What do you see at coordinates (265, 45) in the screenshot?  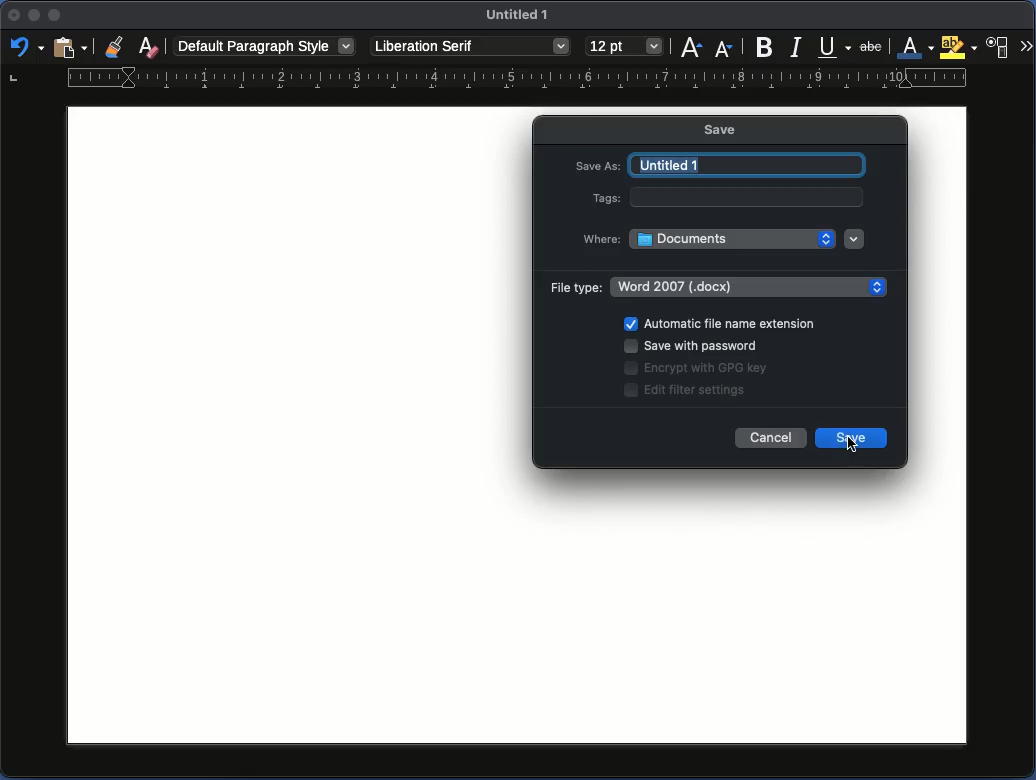 I see `Paragraph style` at bounding box center [265, 45].